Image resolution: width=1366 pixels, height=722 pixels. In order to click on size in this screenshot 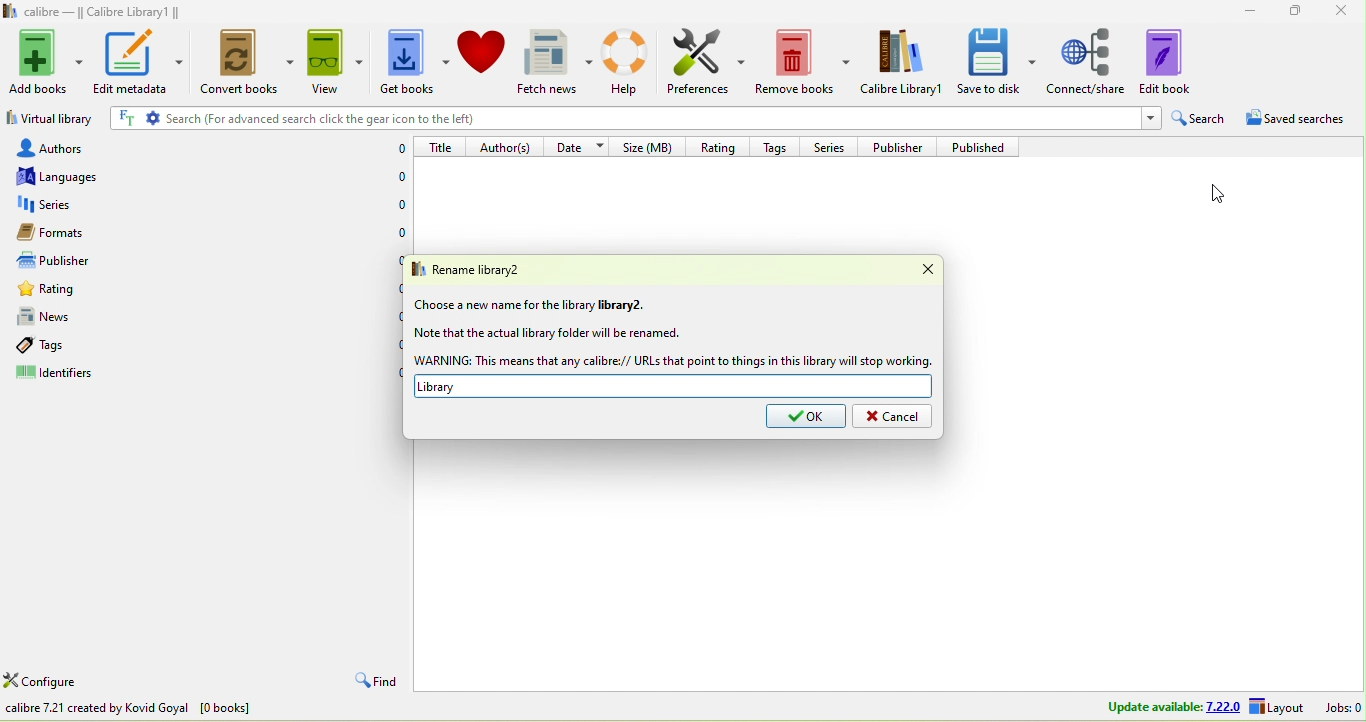, I will do `click(651, 146)`.